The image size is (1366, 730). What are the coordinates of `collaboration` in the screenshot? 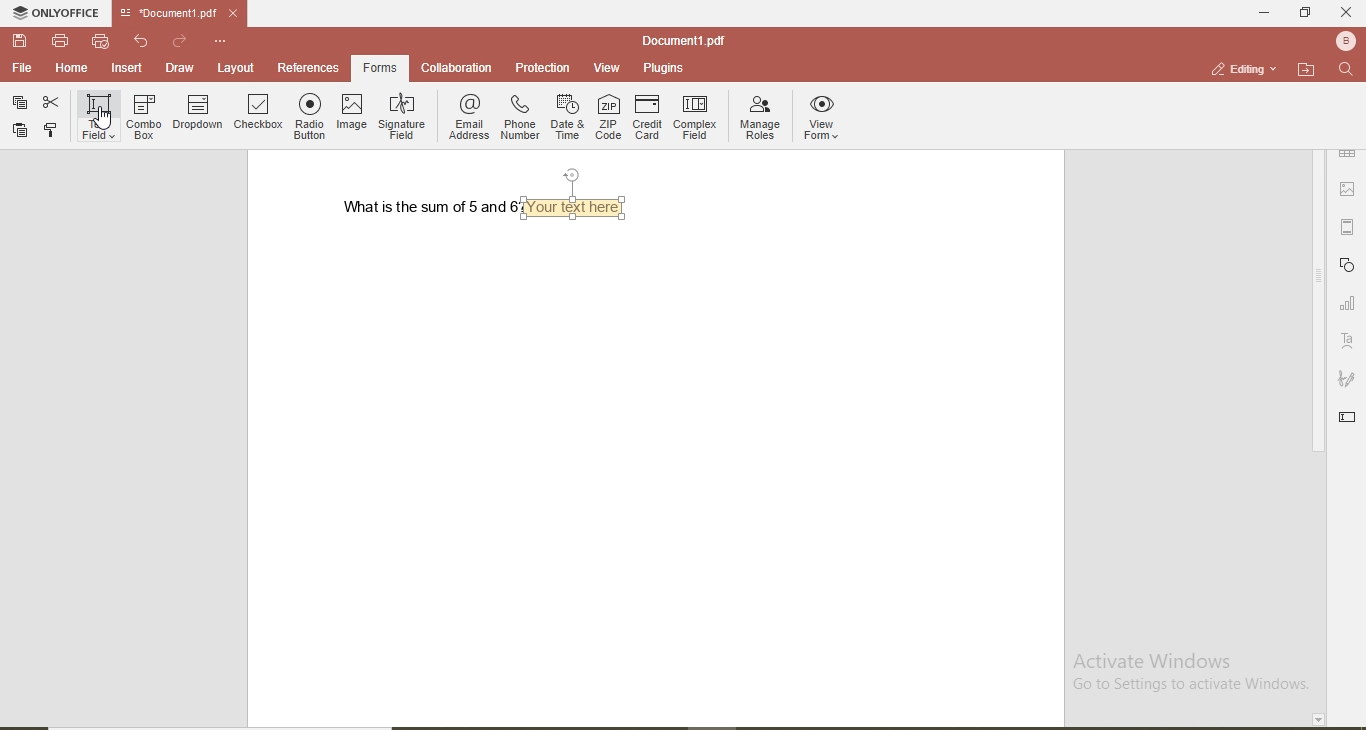 It's located at (458, 67).